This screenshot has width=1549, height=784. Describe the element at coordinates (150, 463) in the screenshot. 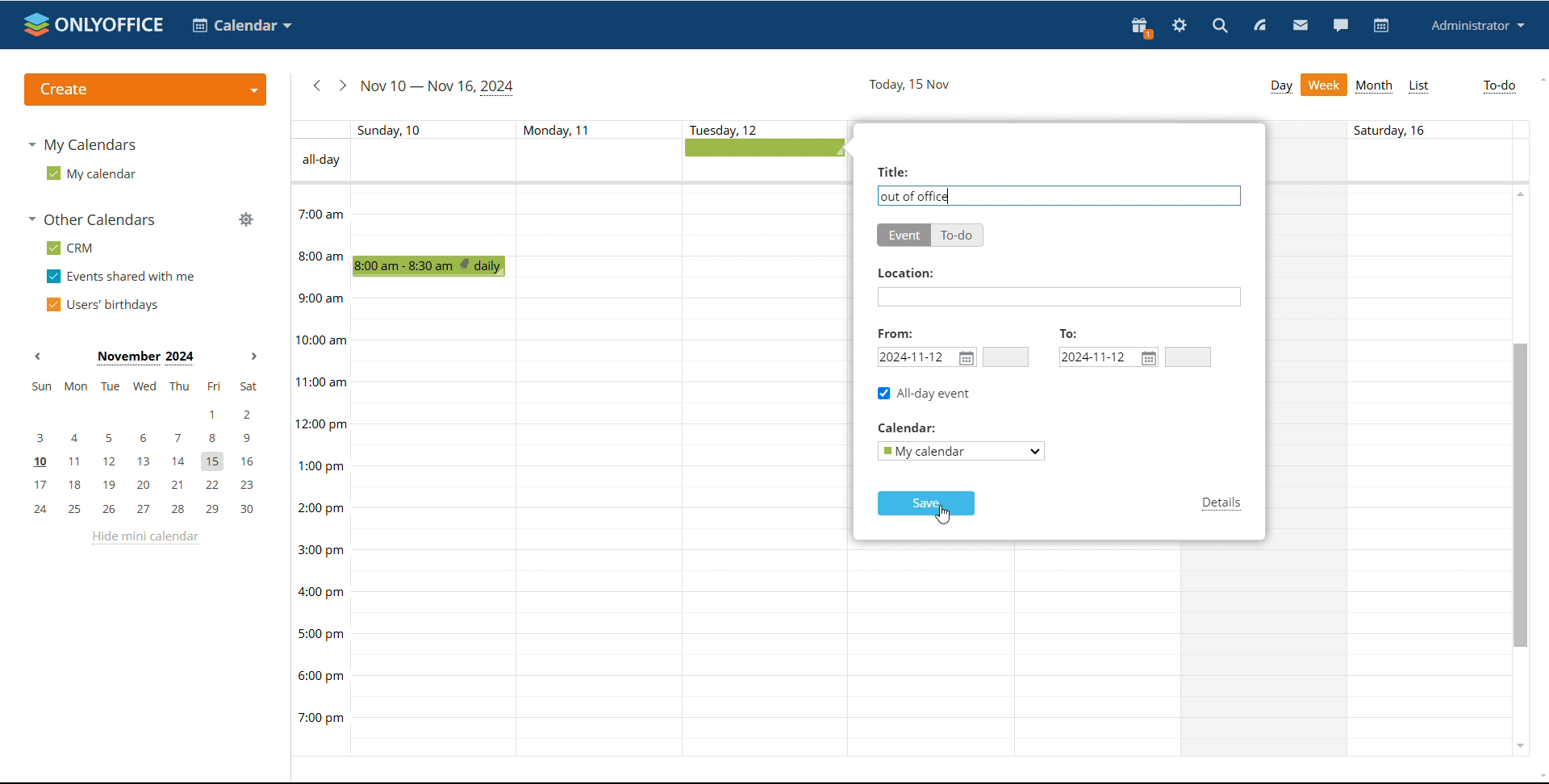

I see `10, 11, 12, 13, 14, 15, 16` at that location.